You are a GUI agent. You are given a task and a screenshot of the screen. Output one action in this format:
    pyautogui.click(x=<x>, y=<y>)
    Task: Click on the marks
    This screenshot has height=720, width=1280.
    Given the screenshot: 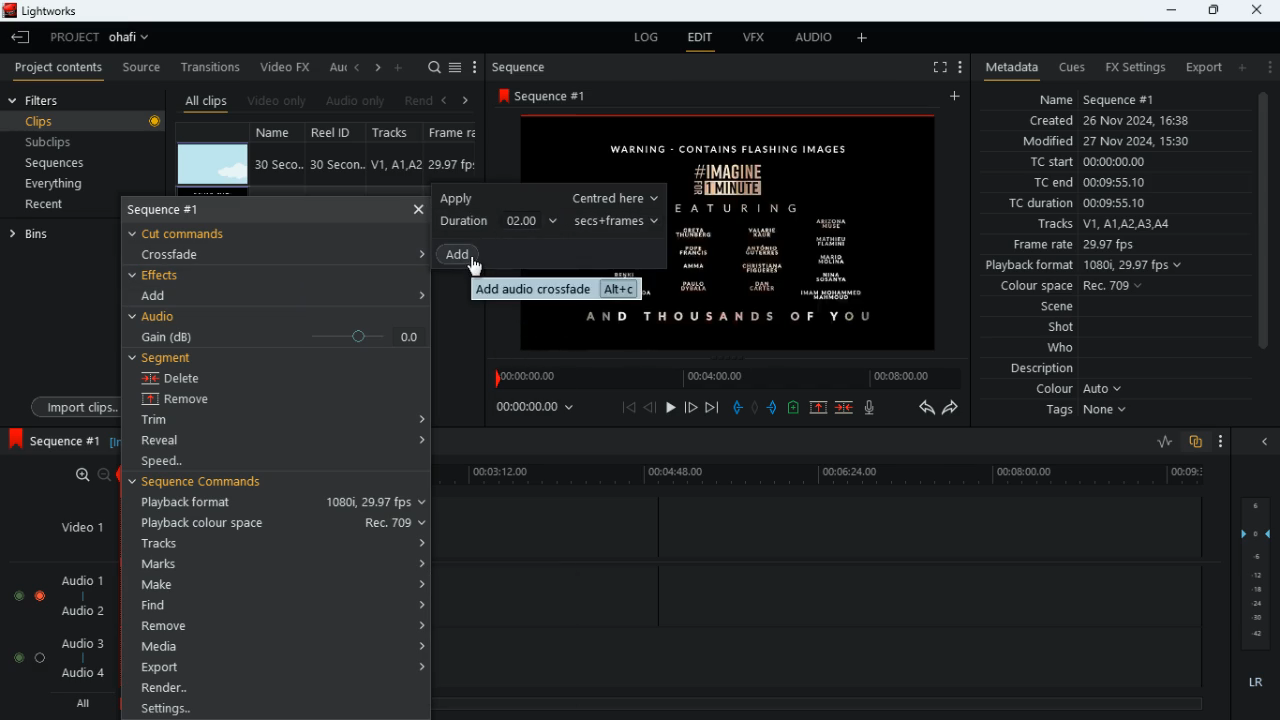 What is the action you would take?
    pyautogui.click(x=283, y=564)
    